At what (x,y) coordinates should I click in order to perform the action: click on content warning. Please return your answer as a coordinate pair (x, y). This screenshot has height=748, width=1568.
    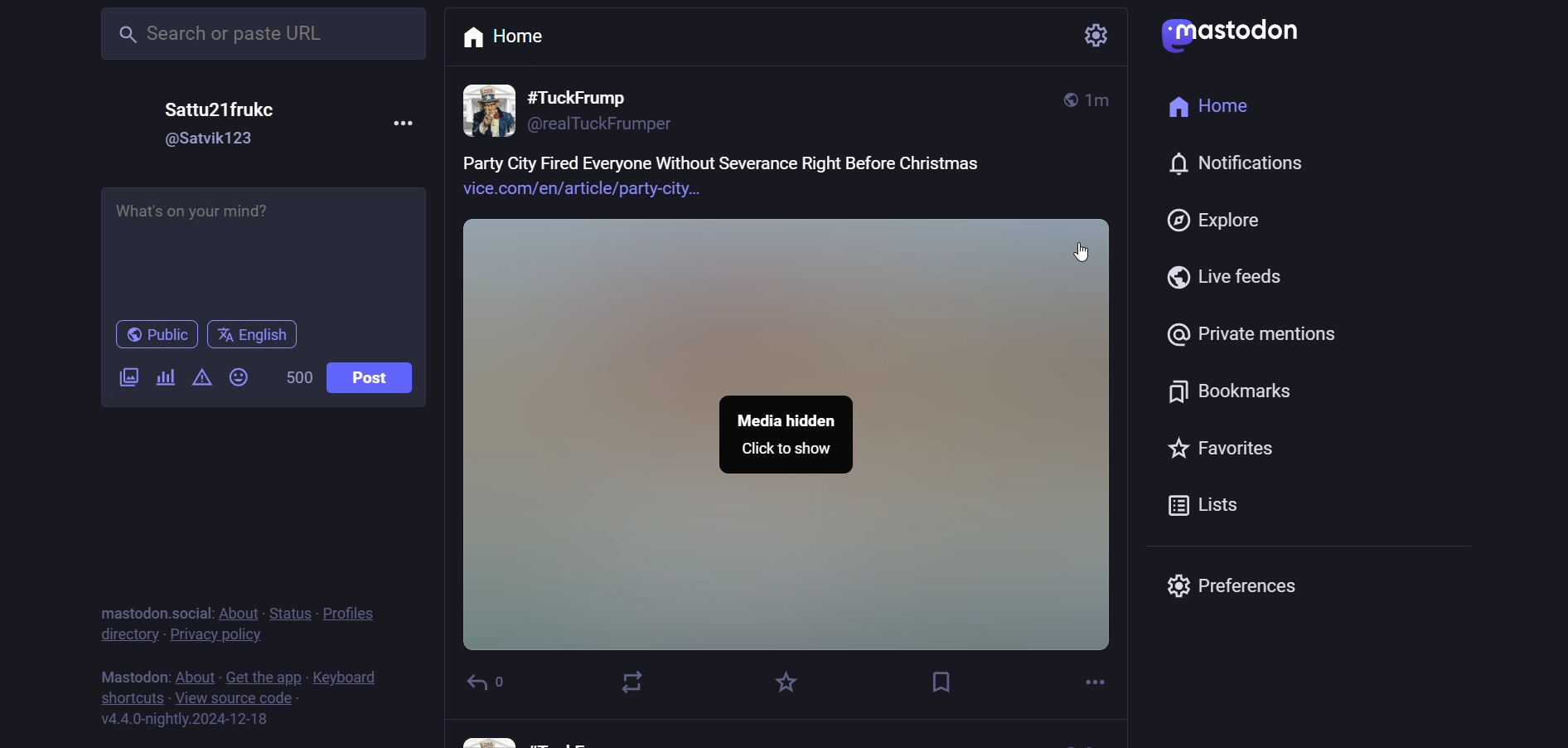
    Looking at the image, I should click on (200, 376).